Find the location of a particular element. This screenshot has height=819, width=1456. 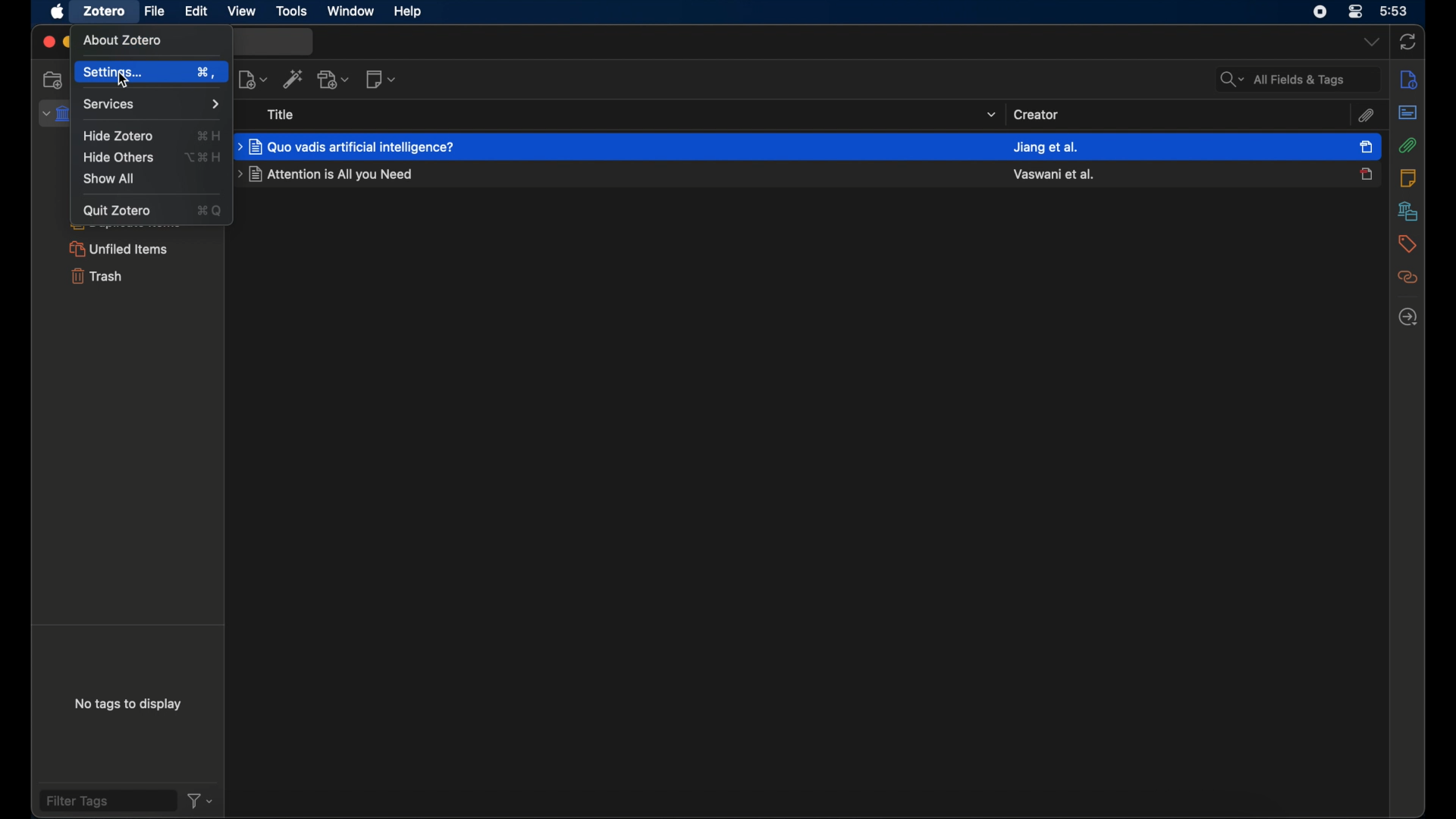

tools is located at coordinates (292, 11).